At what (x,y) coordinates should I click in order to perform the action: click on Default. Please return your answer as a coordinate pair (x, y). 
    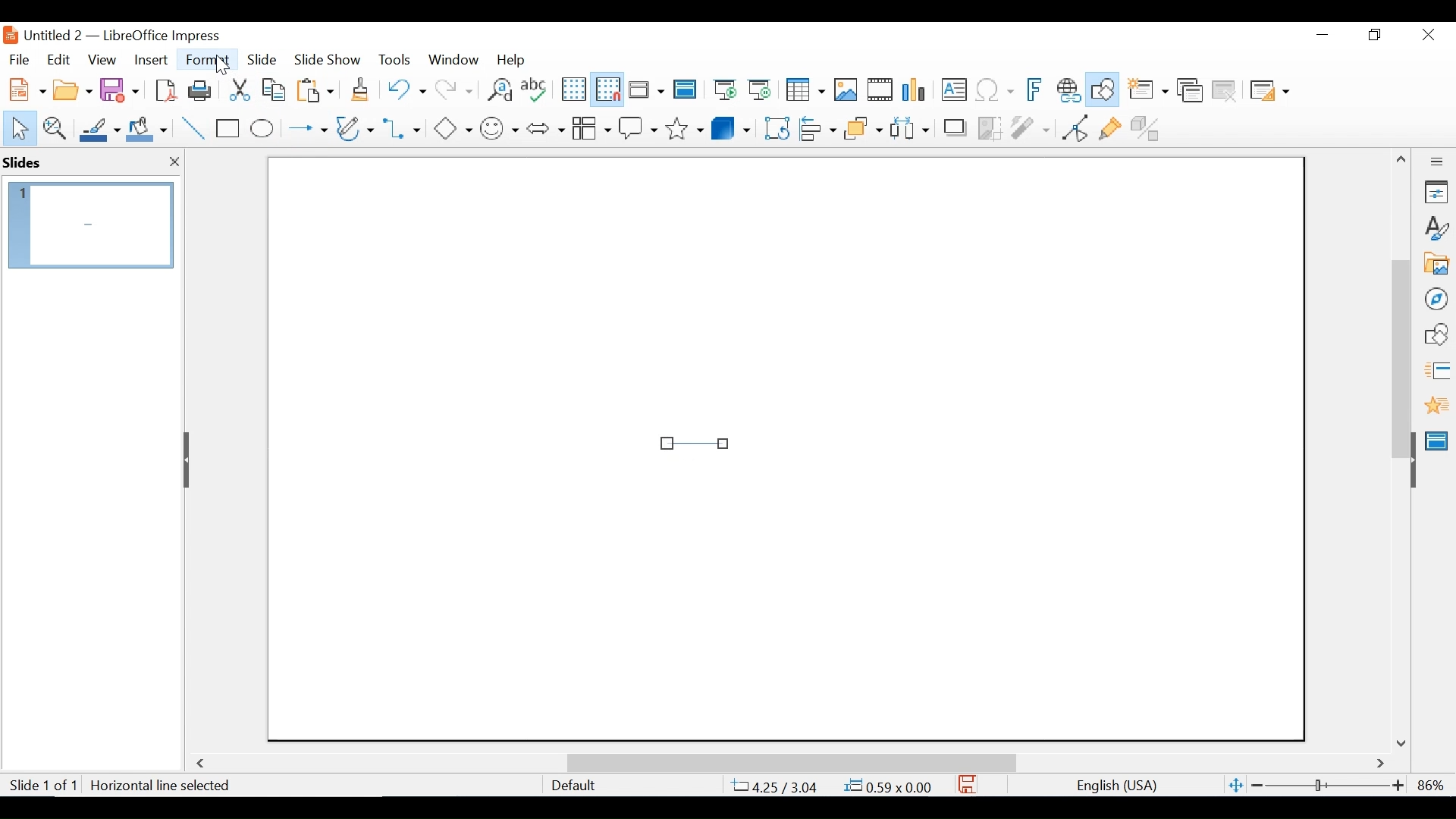
    Looking at the image, I should click on (573, 786).